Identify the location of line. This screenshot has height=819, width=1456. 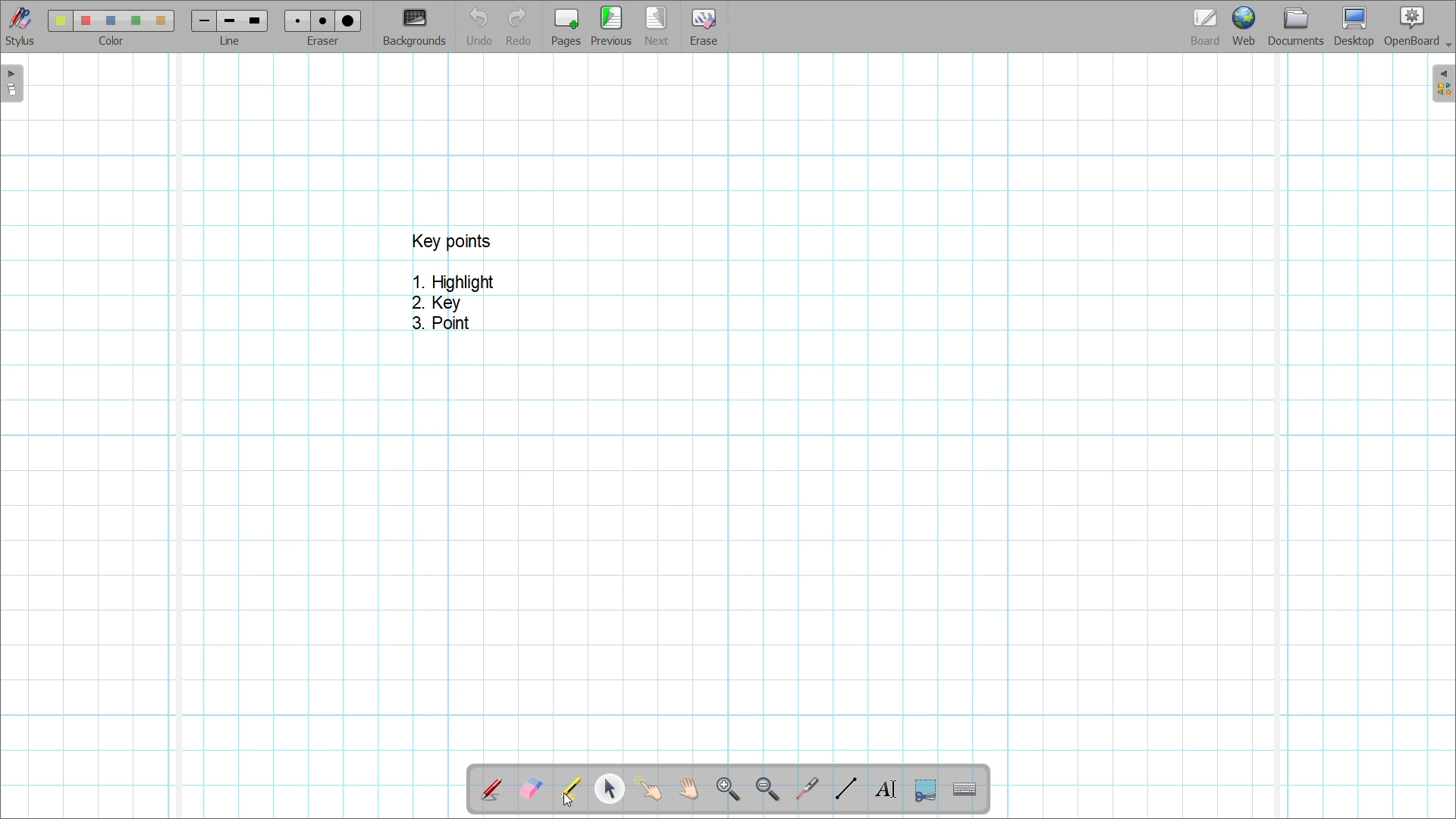
(234, 42).